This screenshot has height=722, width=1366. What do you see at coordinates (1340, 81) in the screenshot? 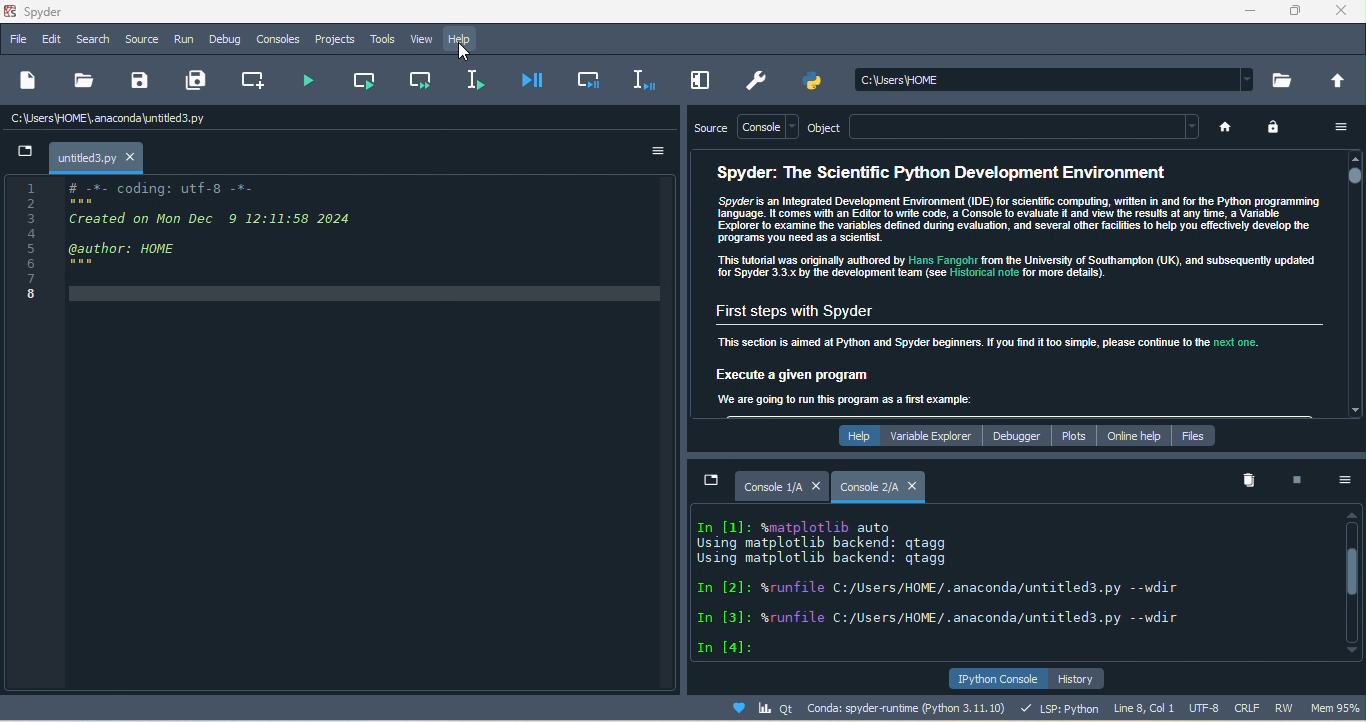
I see `change to parent directory` at bounding box center [1340, 81].